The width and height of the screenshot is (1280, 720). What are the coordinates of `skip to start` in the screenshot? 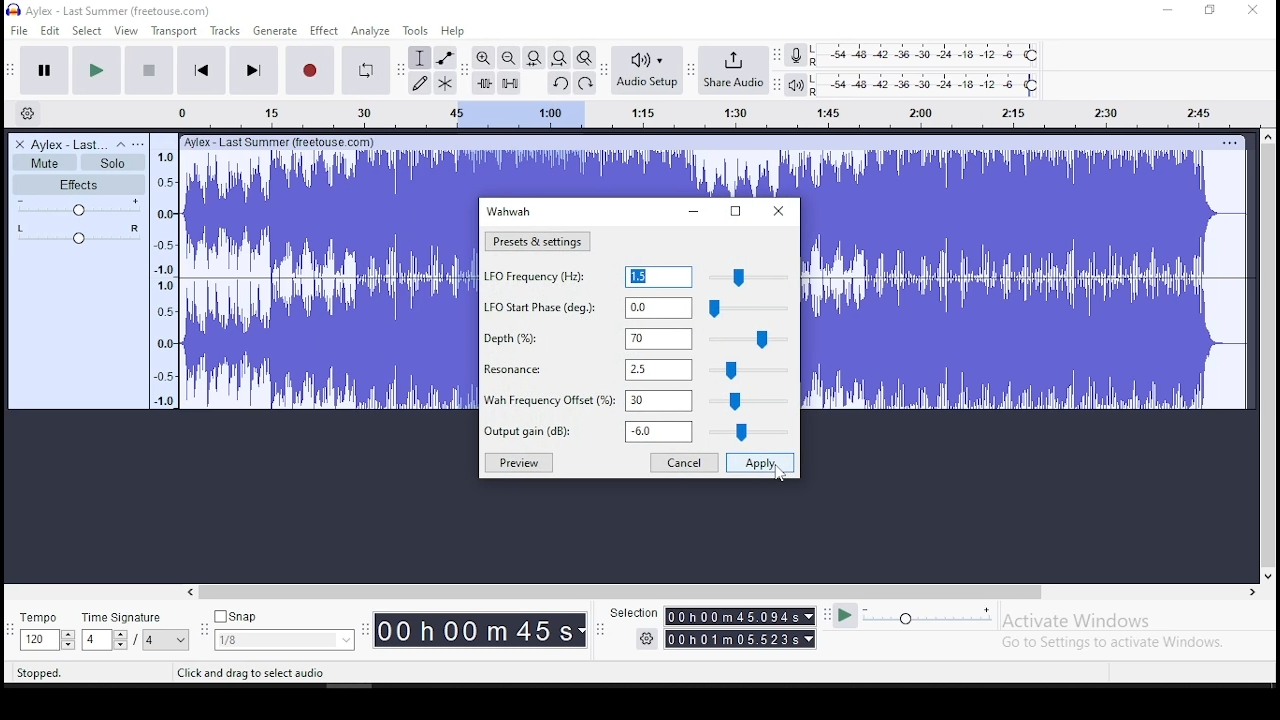 It's located at (201, 71).